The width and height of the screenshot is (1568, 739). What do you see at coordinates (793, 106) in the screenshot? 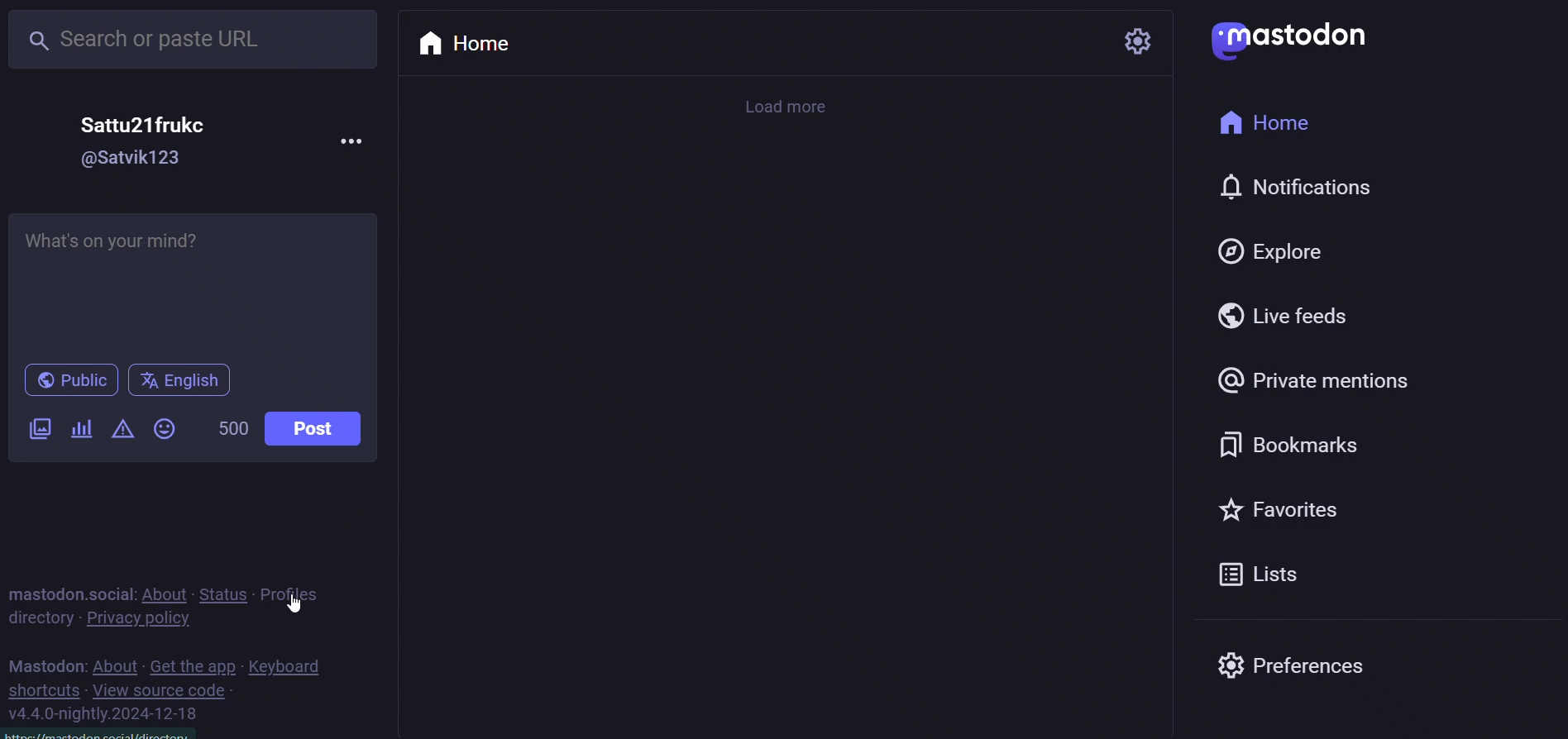
I see `load more` at bounding box center [793, 106].